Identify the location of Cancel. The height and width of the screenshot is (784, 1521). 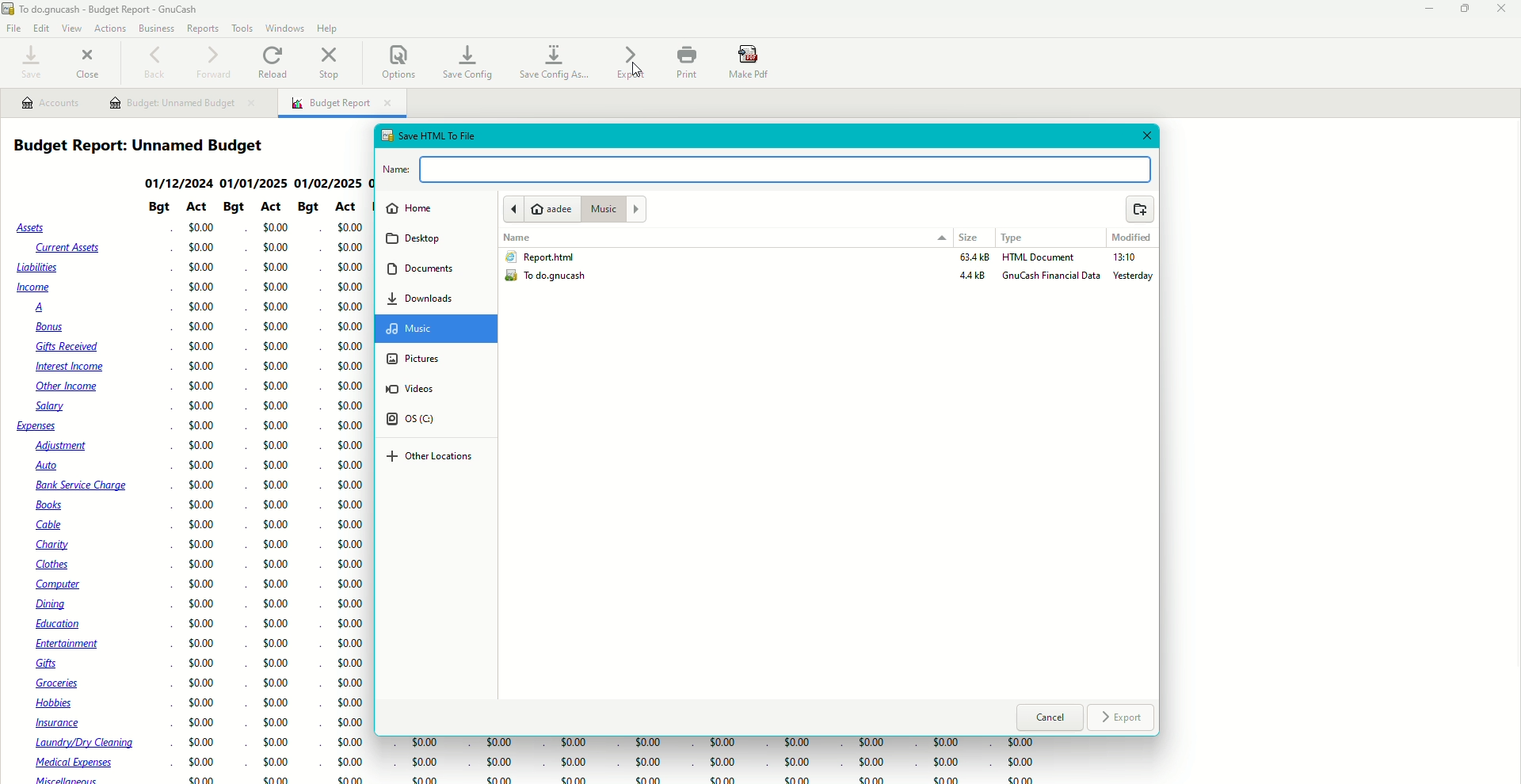
(1050, 719).